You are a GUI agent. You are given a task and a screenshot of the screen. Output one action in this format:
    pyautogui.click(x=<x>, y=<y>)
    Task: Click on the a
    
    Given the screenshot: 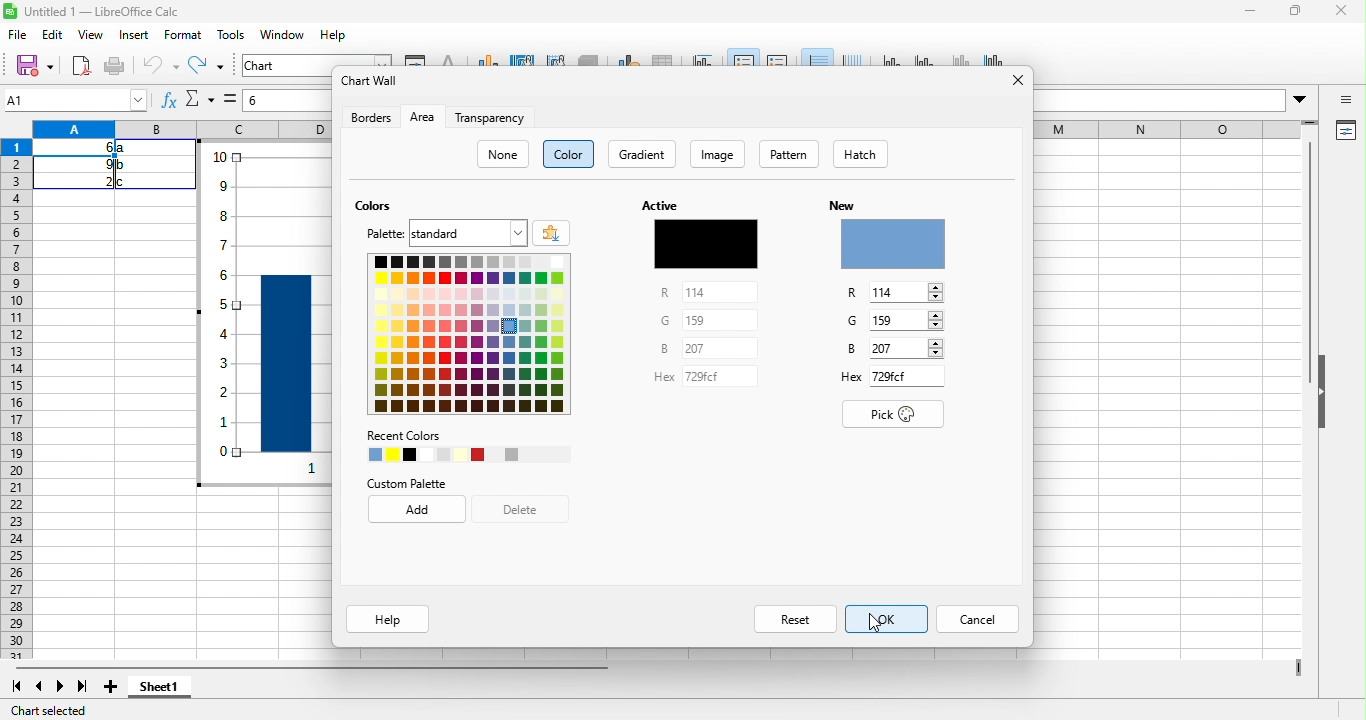 What is the action you would take?
    pyautogui.click(x=124, y=148)
    